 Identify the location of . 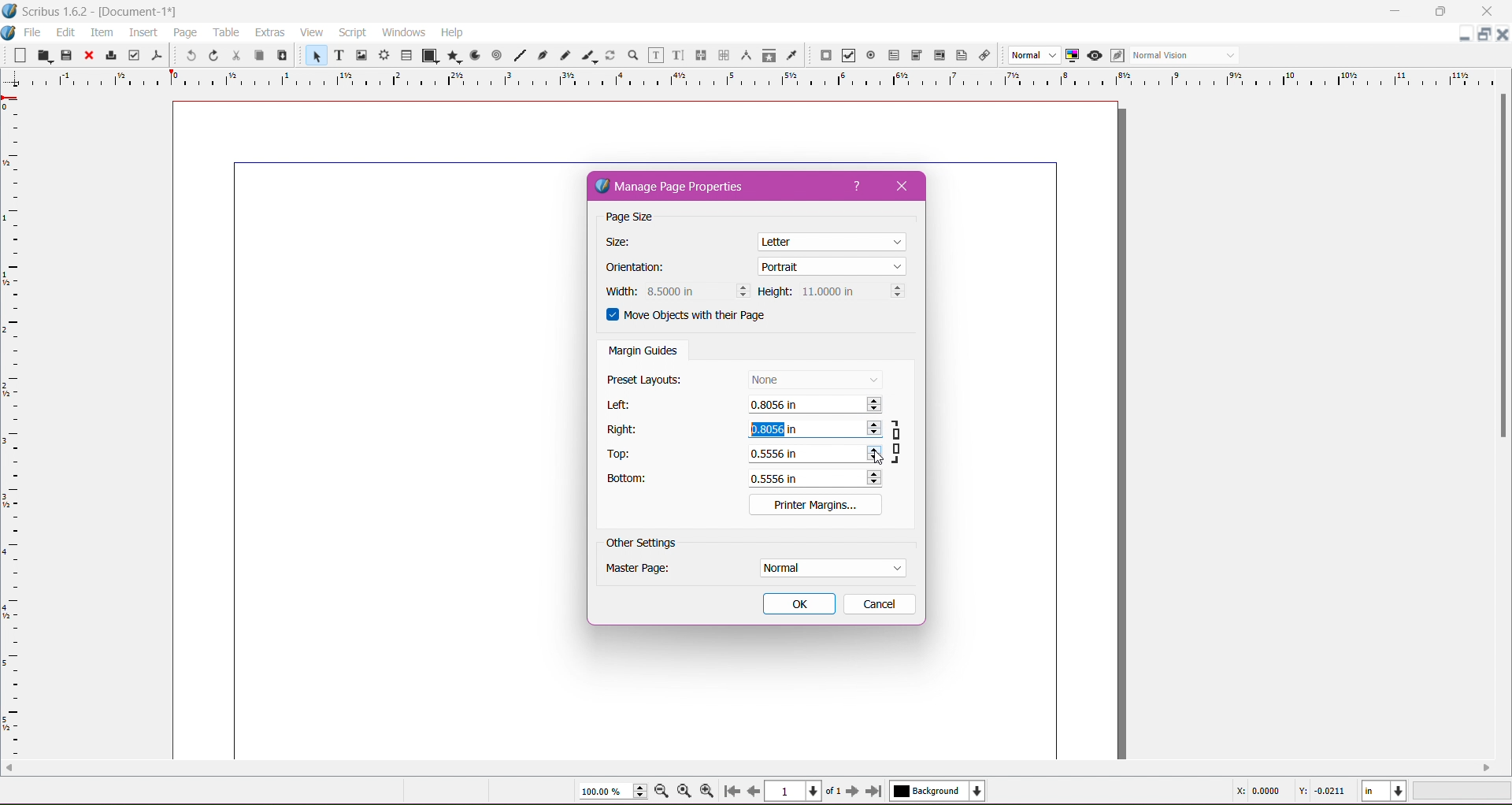
(654, 380).